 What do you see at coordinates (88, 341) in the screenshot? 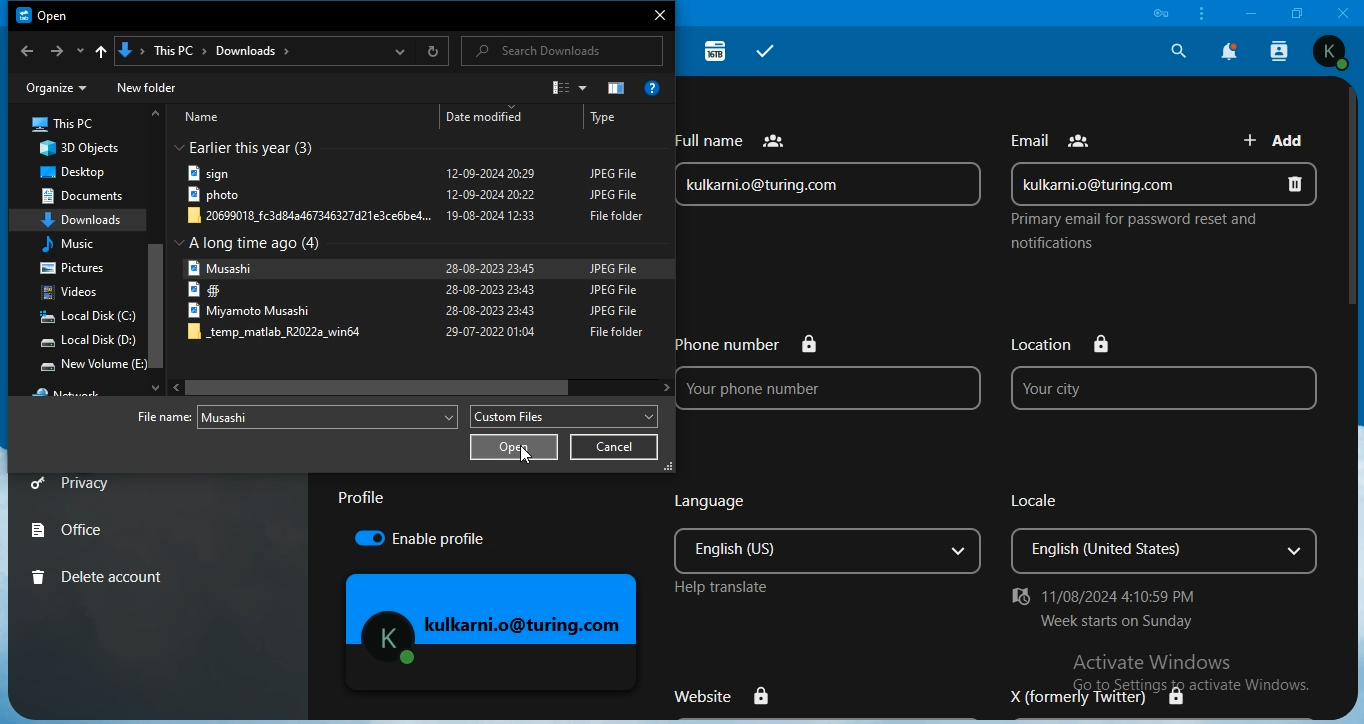
I see `local disk d` at bounding box center [88, 341].